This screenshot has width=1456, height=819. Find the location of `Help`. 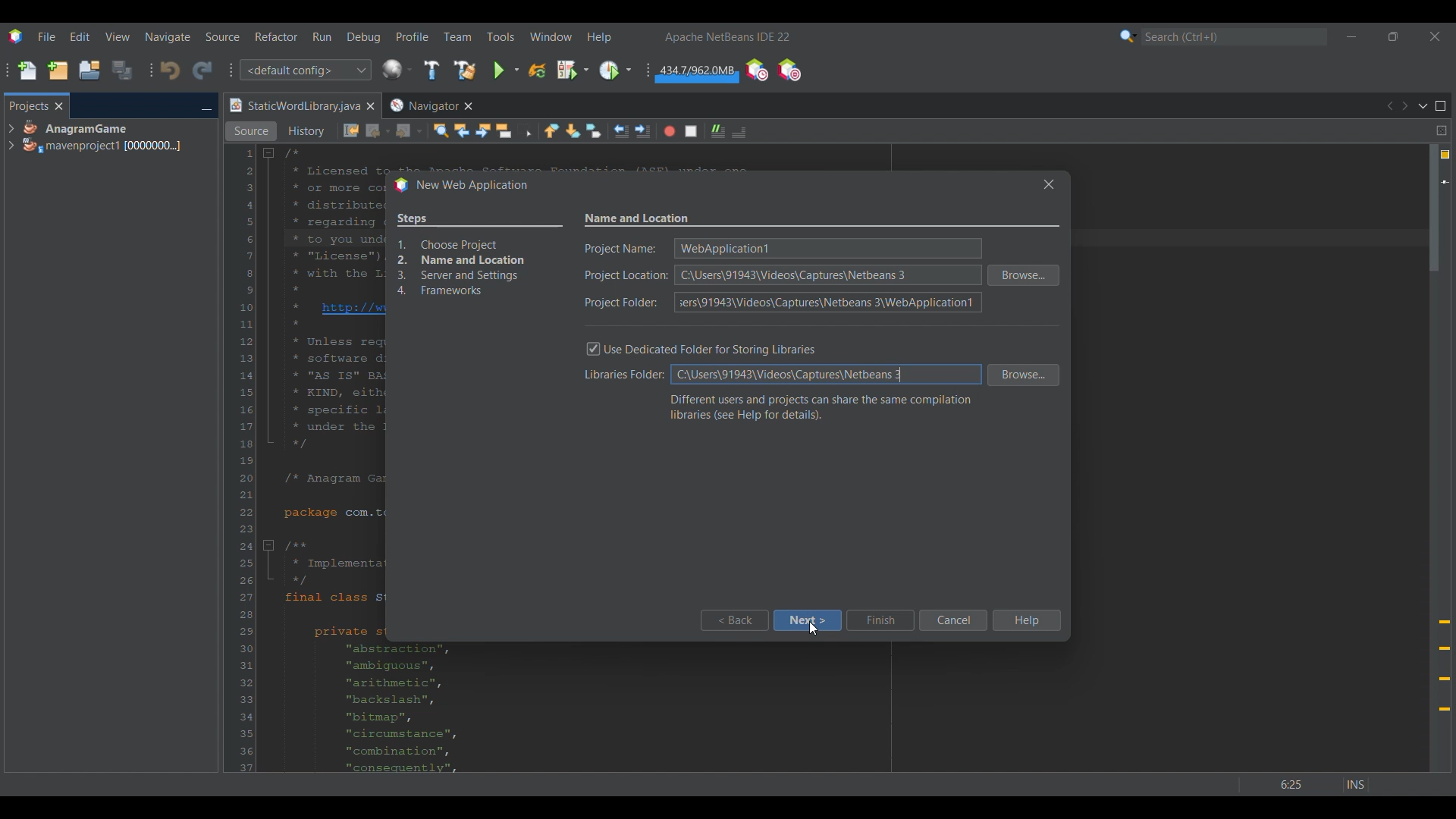

Help is located at coordinates (1025, 620).